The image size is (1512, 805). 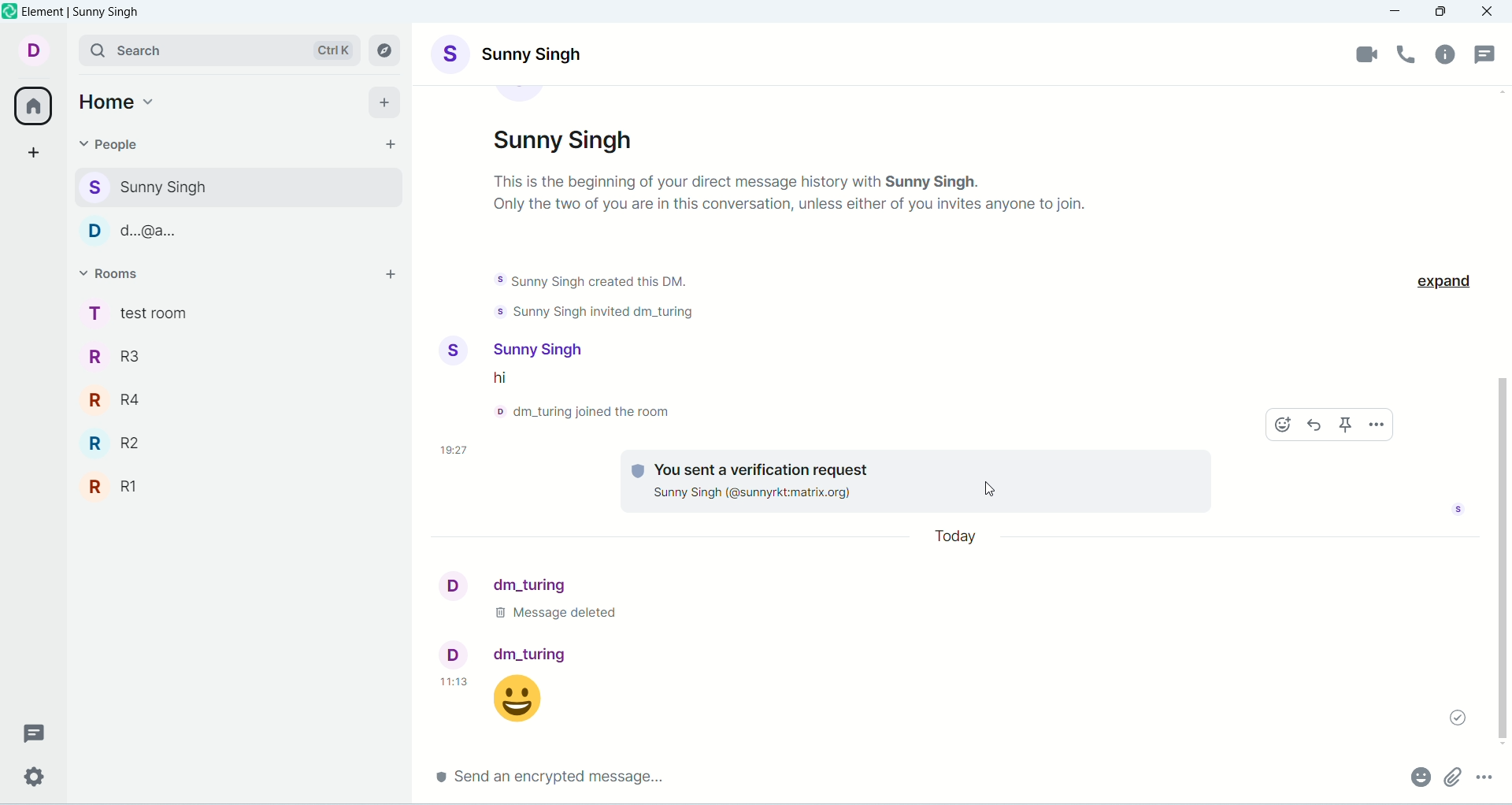 I want to click on search, so click(x=218, y=50).